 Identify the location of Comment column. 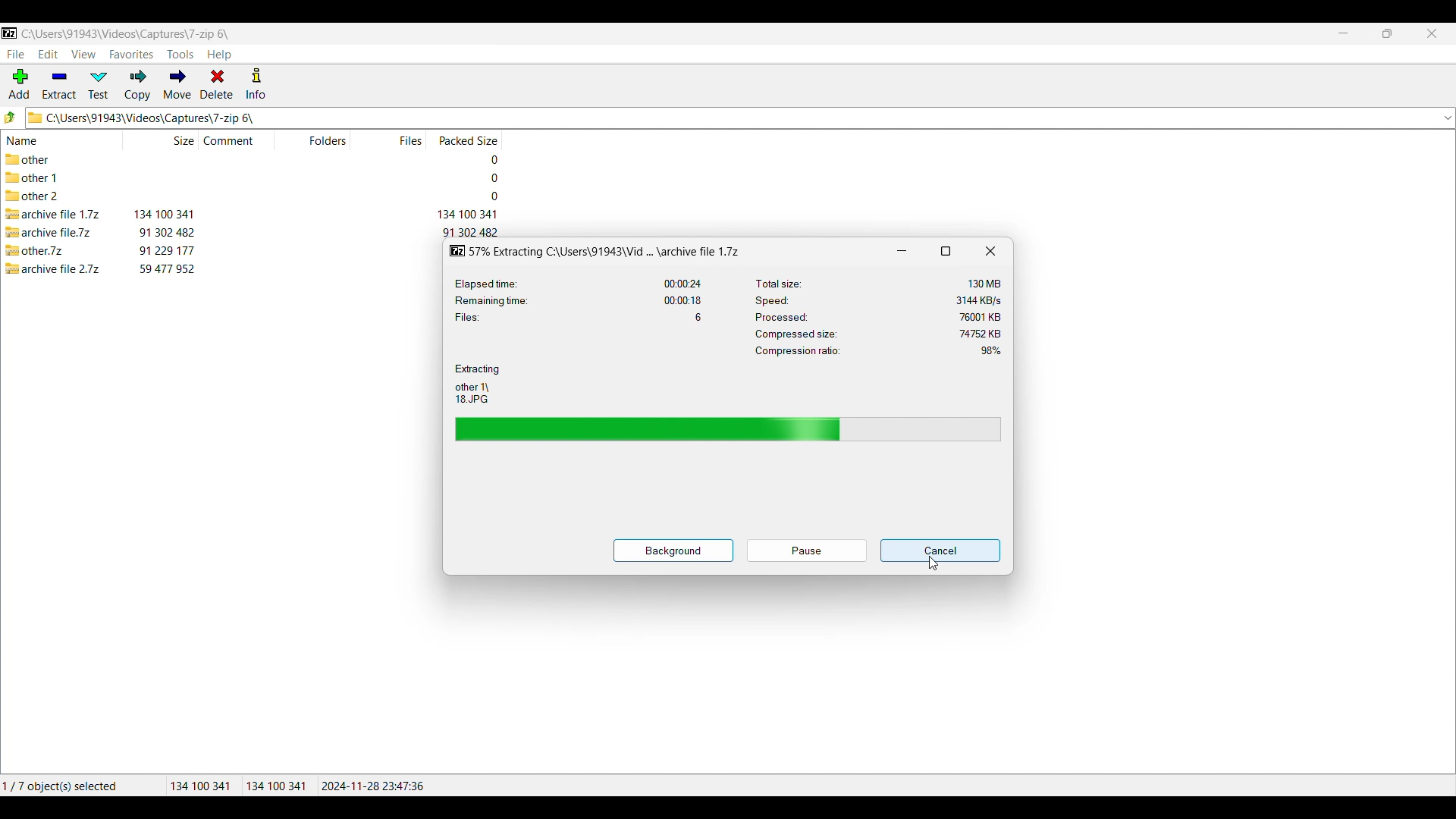
(238, 140).